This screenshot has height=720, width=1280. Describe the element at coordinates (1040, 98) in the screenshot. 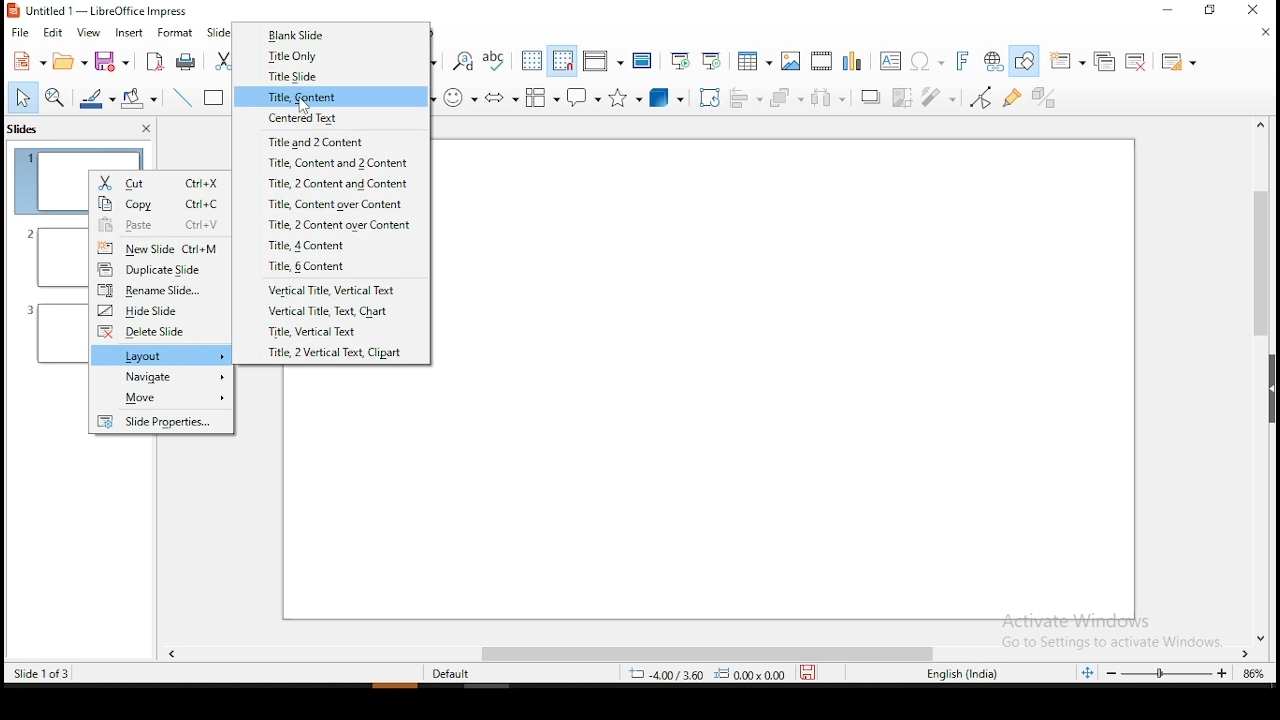

I see `toggle extrusion` at that location.